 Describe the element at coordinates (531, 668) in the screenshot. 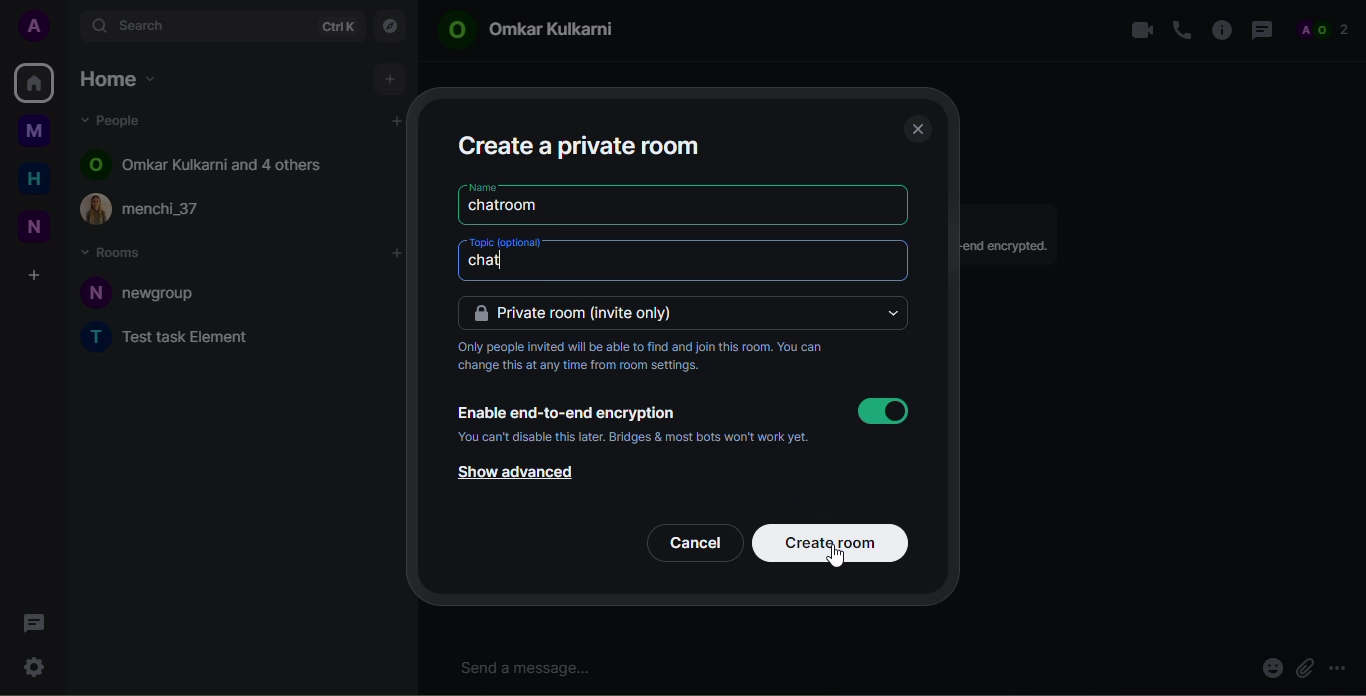

I see `send message` at that location.